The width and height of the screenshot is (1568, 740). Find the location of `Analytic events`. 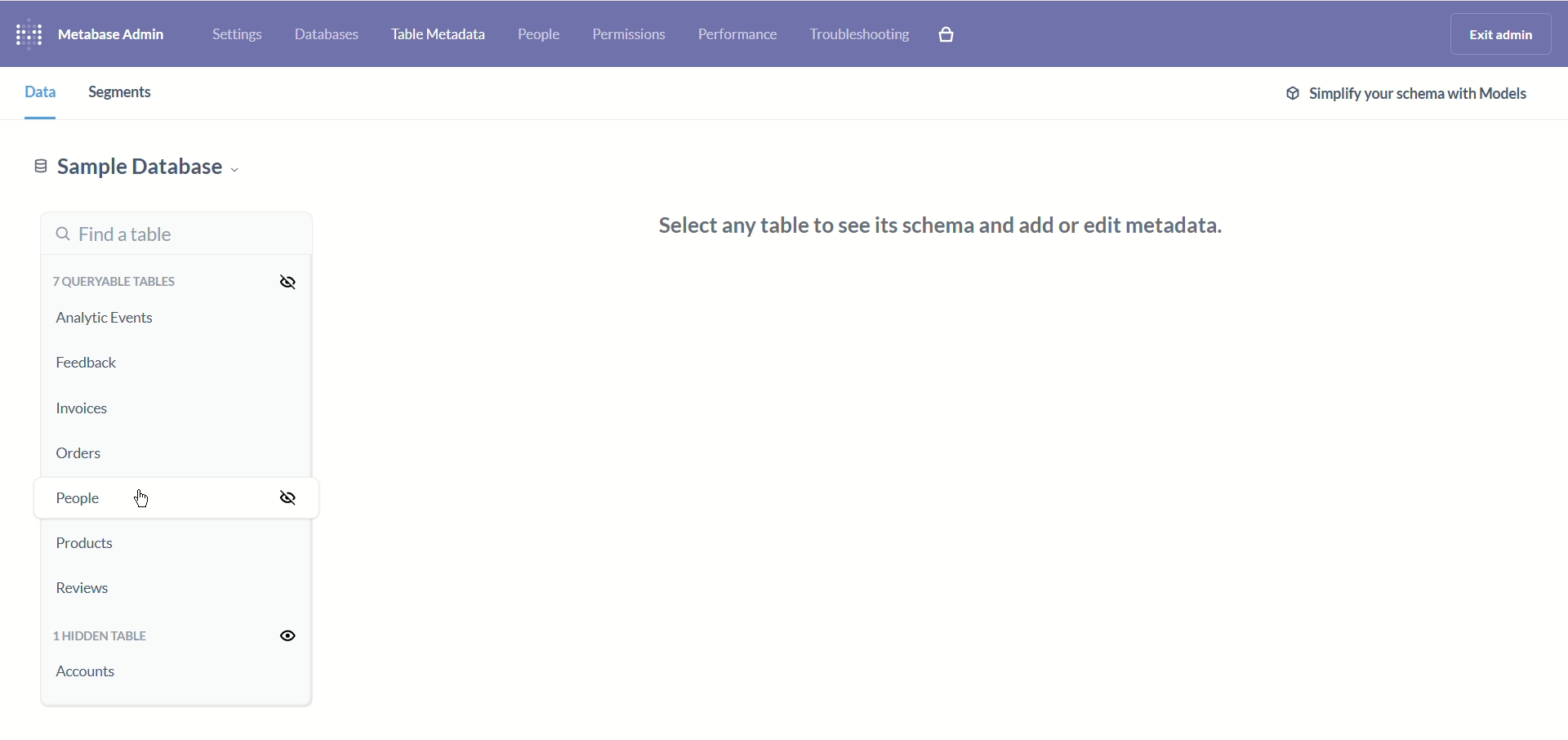

Analytic events is located at coordinates (104, 319).